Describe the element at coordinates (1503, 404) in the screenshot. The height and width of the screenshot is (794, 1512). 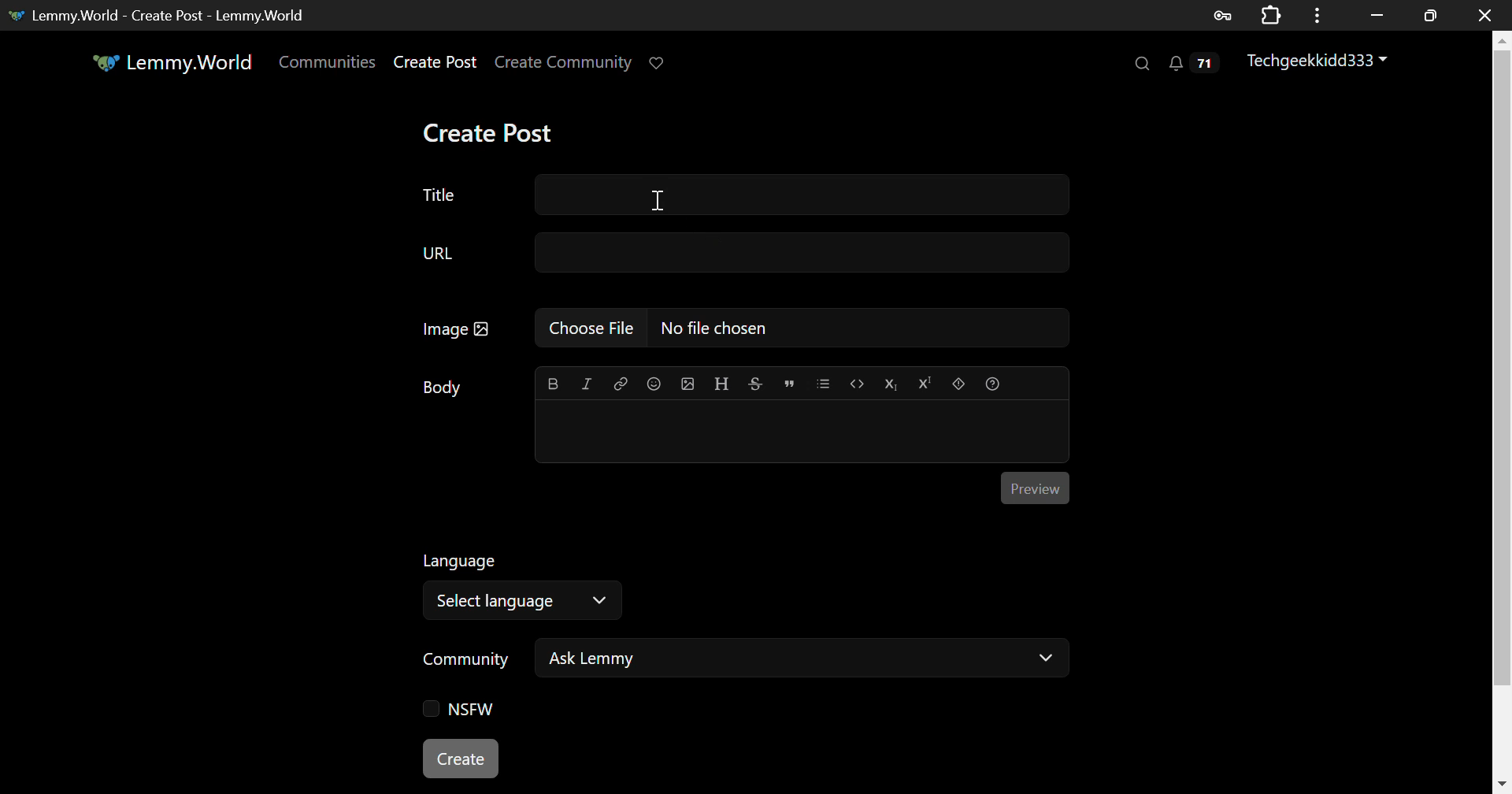
I see `Scroll Bar` at that location.